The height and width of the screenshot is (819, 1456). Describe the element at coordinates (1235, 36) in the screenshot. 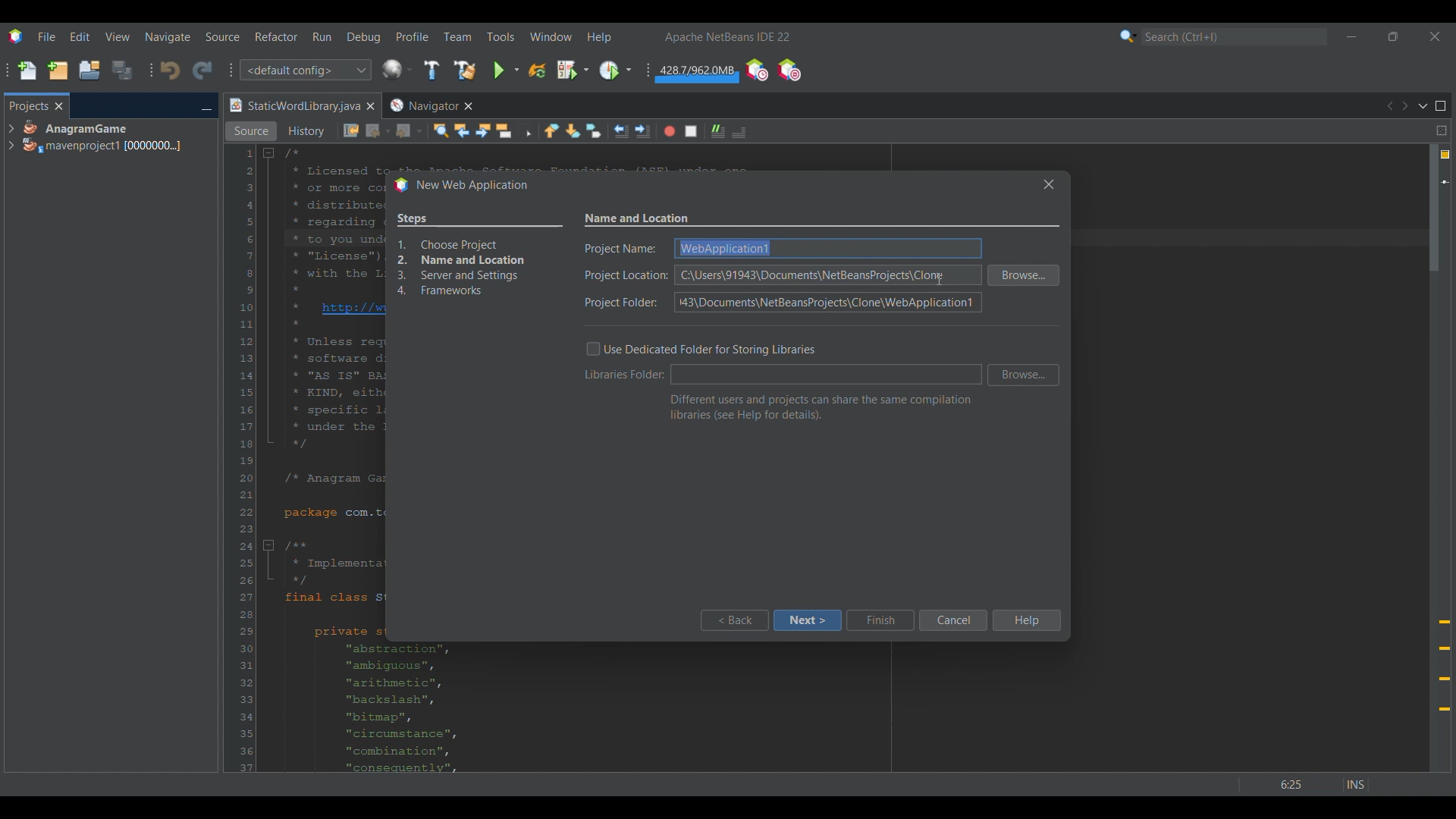

I see `Search box` at that location.